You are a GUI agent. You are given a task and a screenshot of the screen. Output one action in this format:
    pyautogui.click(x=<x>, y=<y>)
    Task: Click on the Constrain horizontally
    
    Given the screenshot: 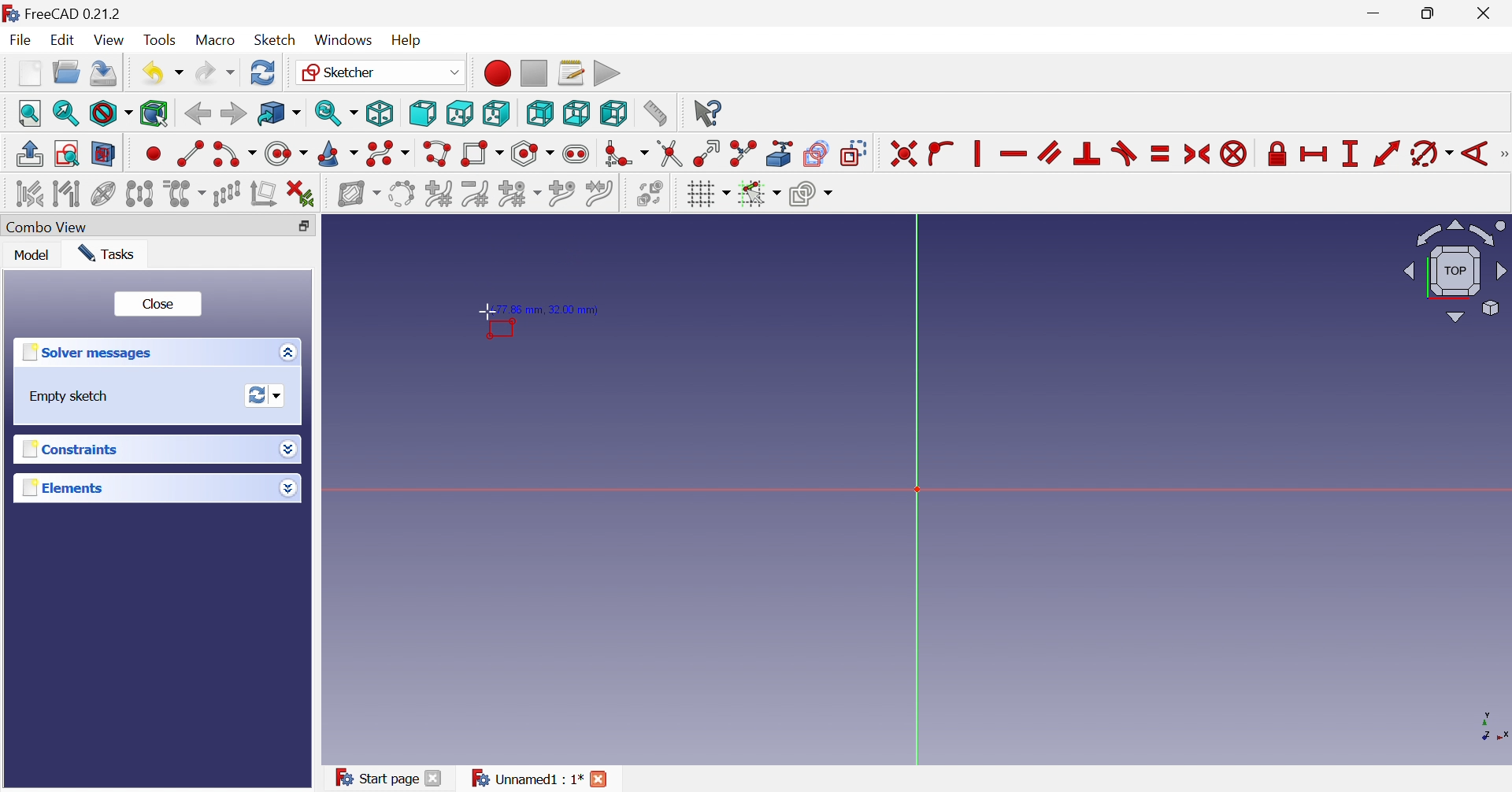 What is the action you would take?
    pyautogui.click(x=1013, y=154)
    